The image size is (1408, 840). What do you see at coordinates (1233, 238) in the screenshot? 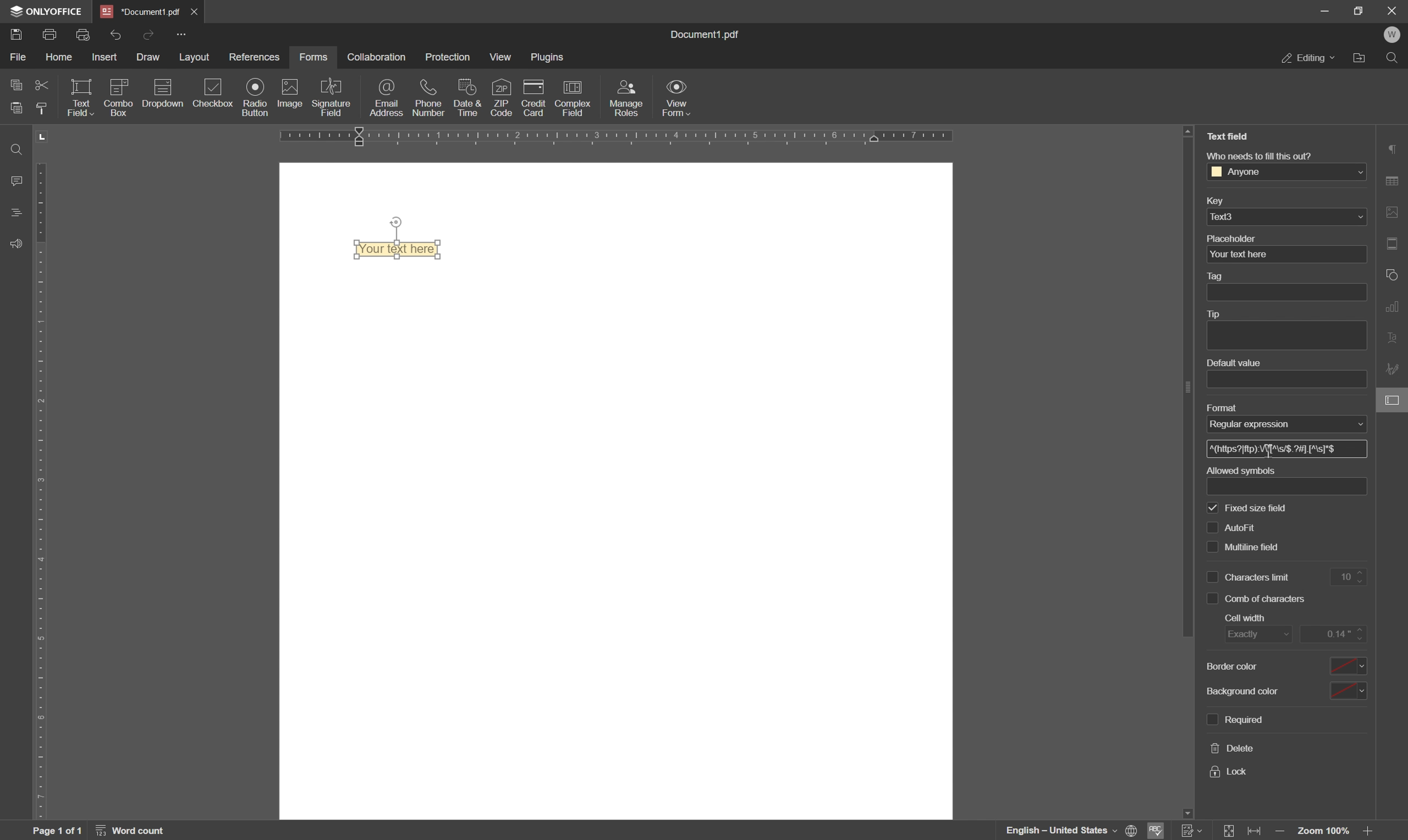
I see `placeholder` at bounding box center [1233, 238].